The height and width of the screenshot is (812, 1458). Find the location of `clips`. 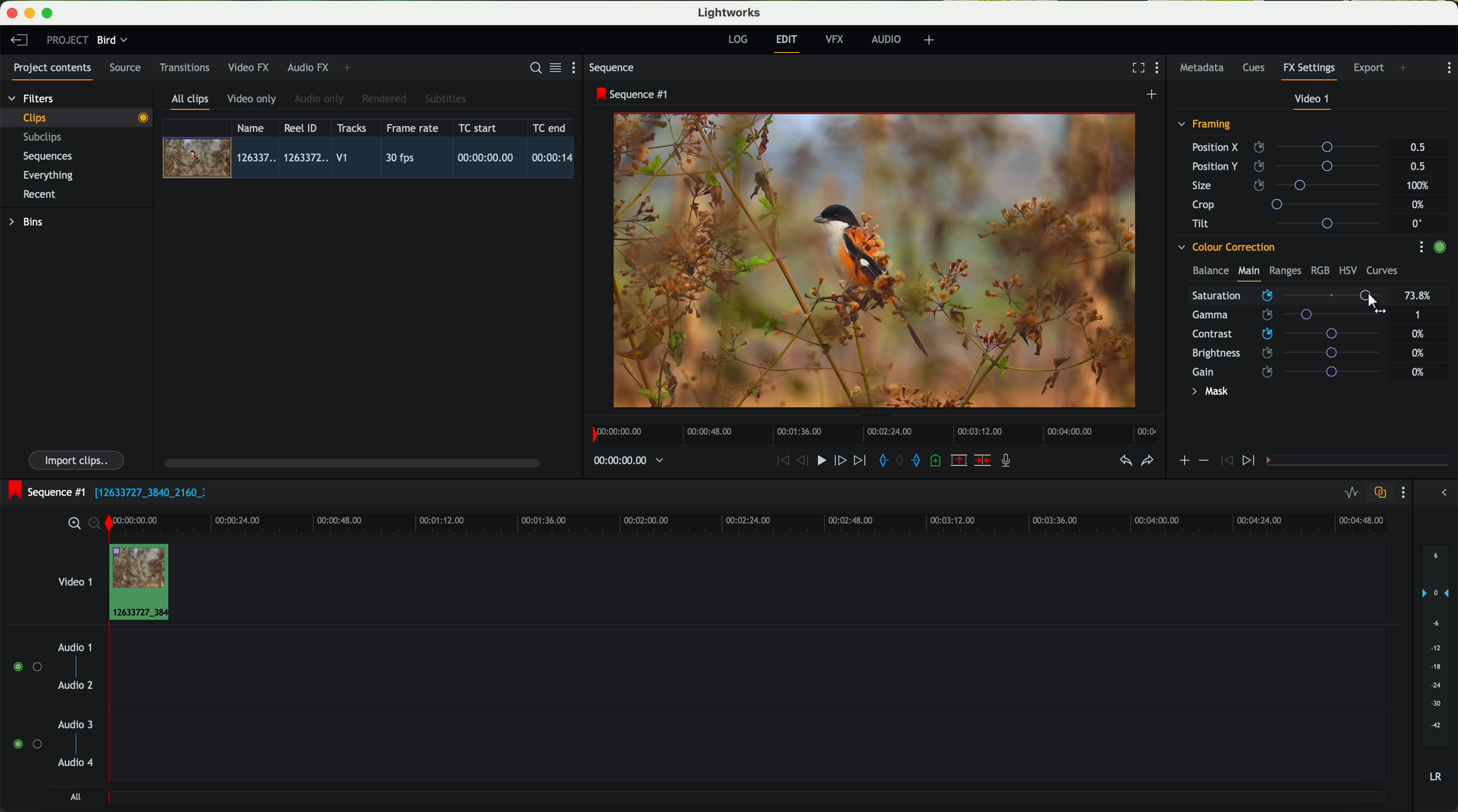

clips is located at coordinates (77, 117).